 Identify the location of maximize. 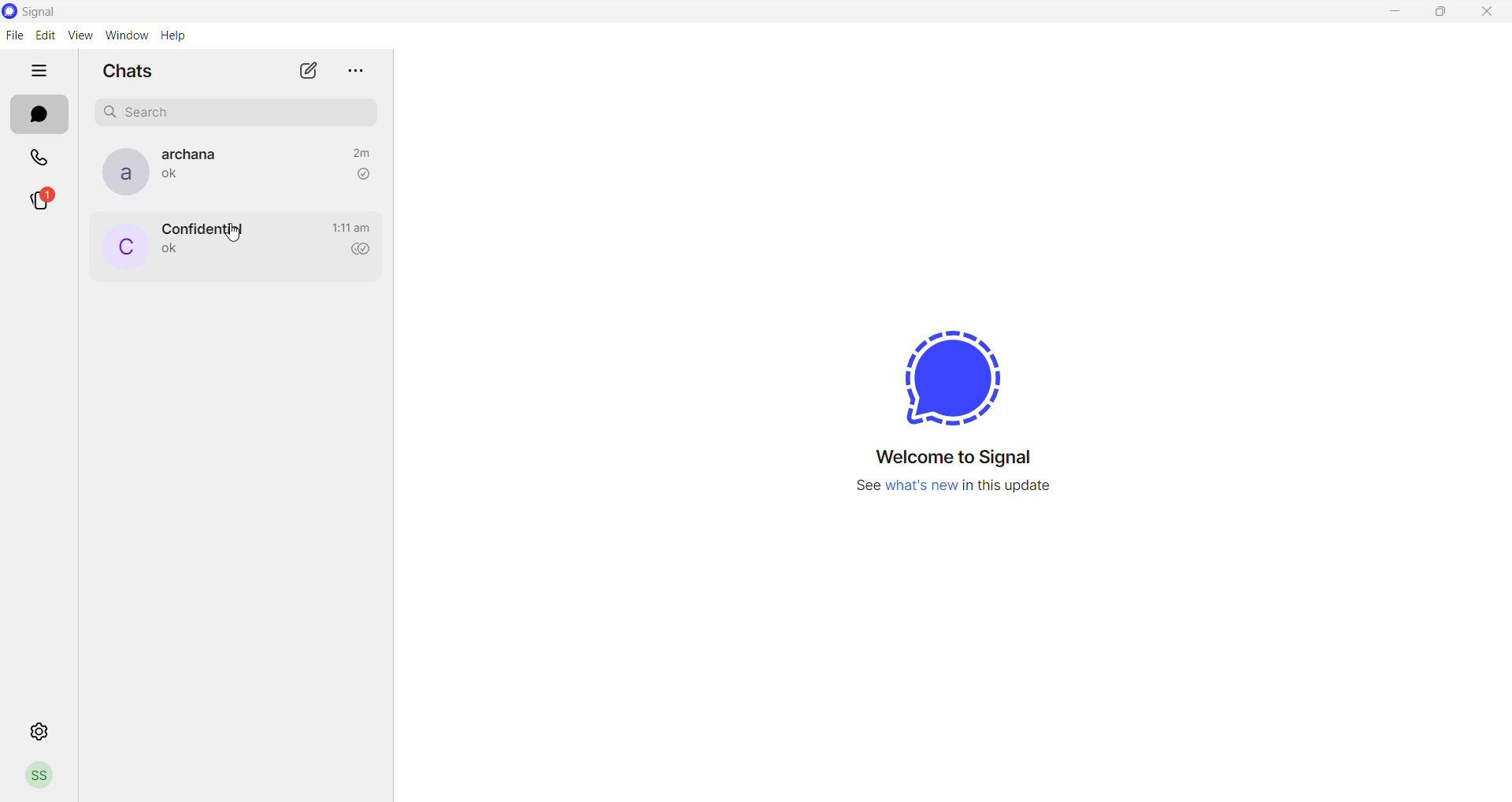
(1440, 14).